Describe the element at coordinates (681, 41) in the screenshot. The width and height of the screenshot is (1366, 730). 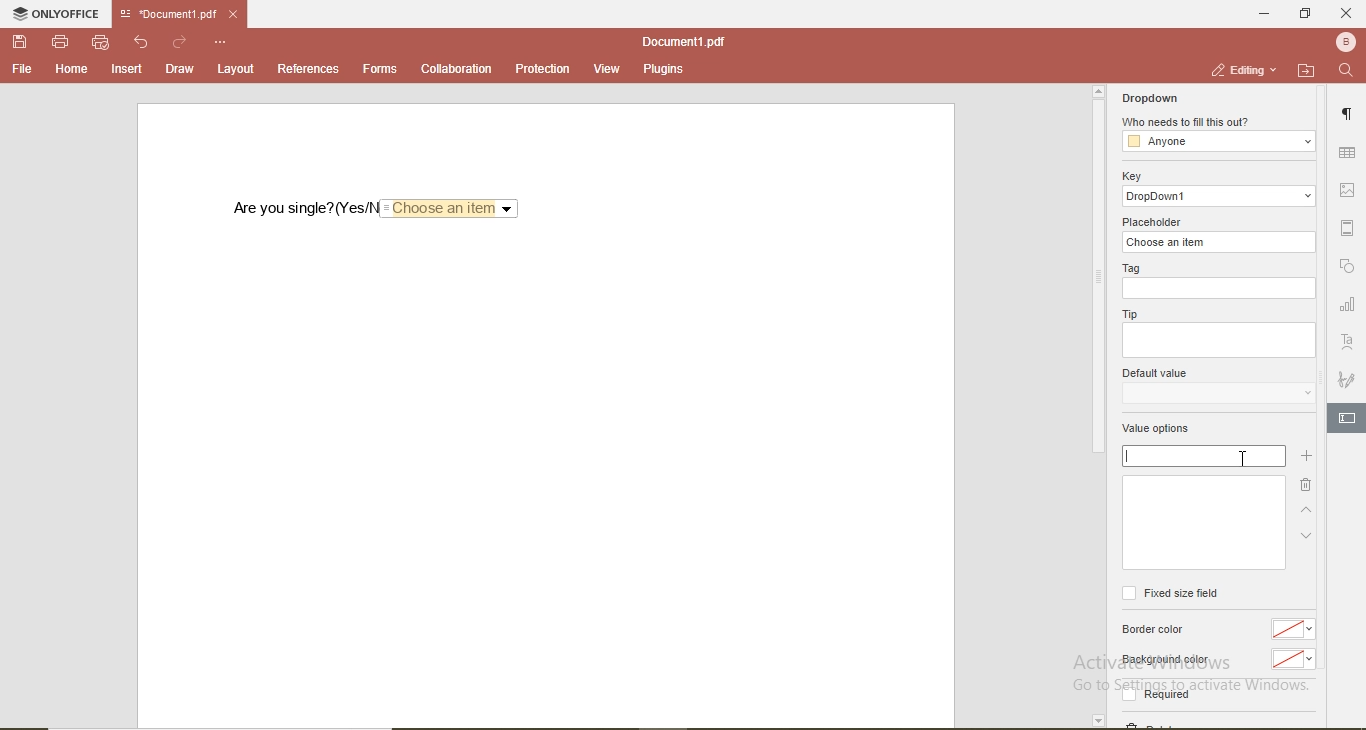
I see `document` at that location.